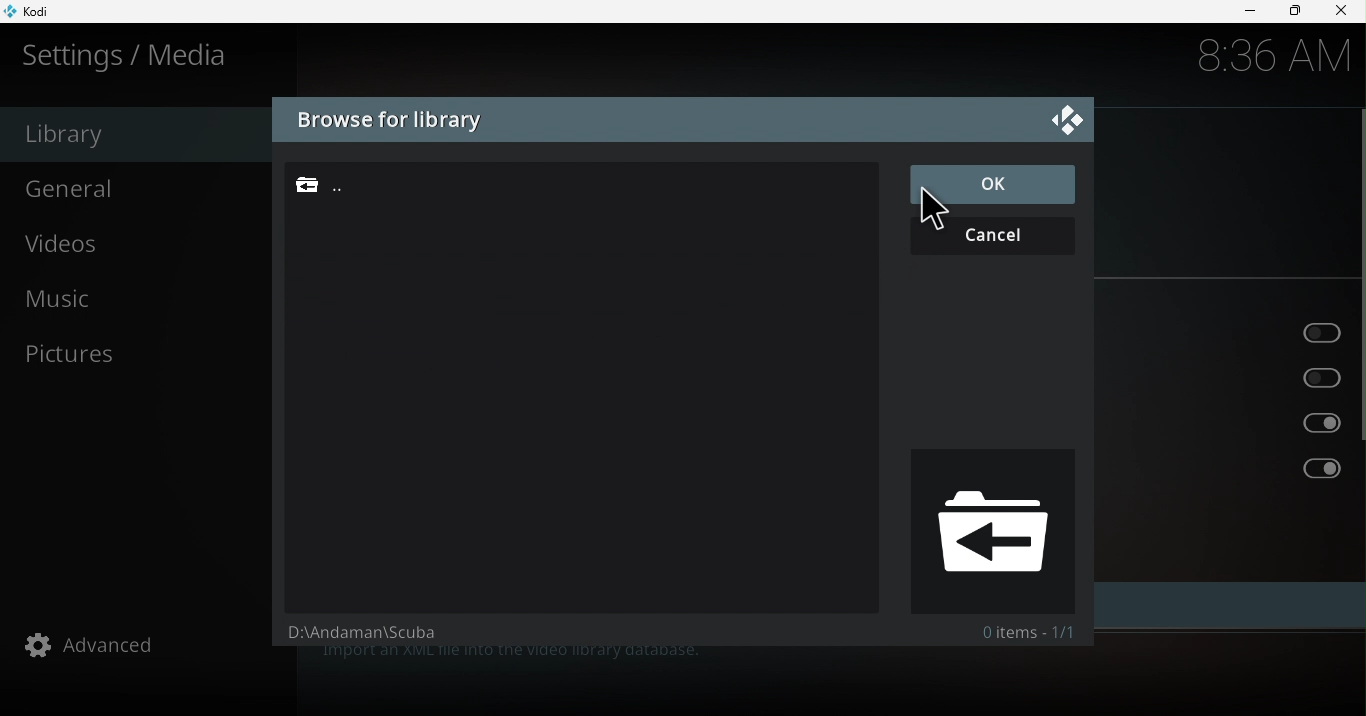  What do you see at coordinates (130, 55) in the screenshot?
I see `Settings/media` at bounding box center [130, 55].